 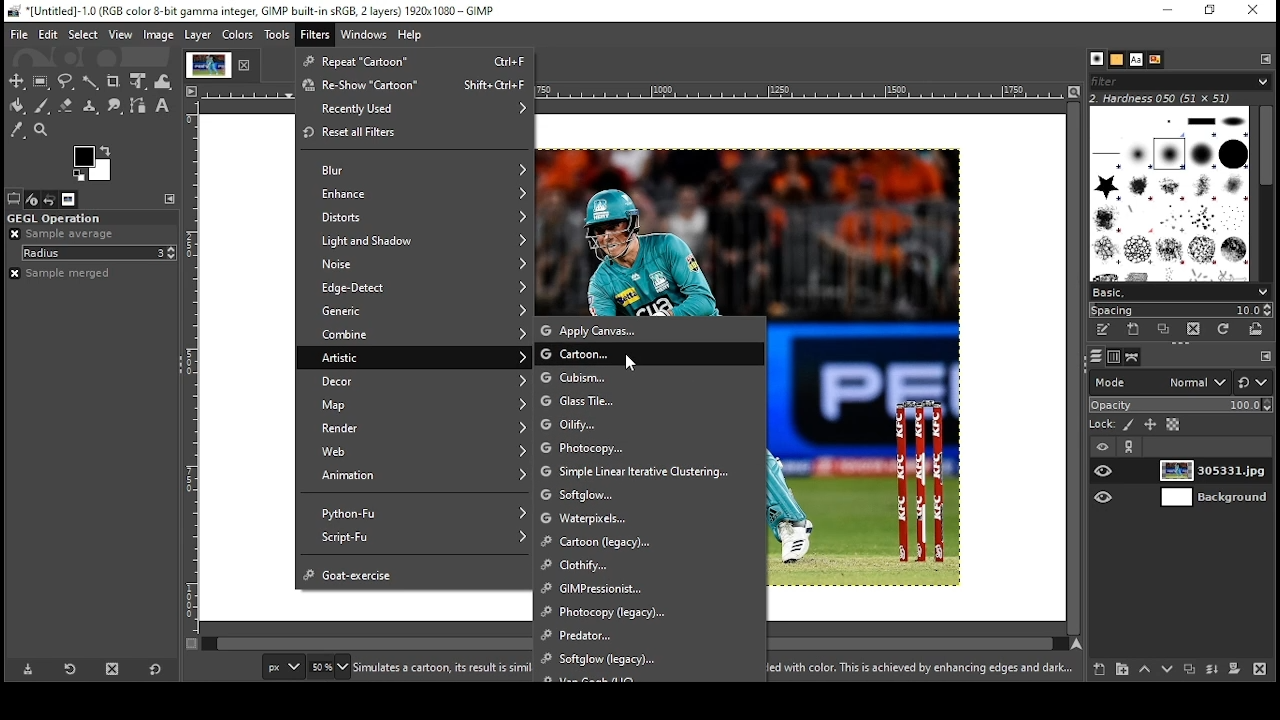 What do you see at coordinates (1156, 59) in the screenshot?
I see `document history` at bounding box center [1156, 59].